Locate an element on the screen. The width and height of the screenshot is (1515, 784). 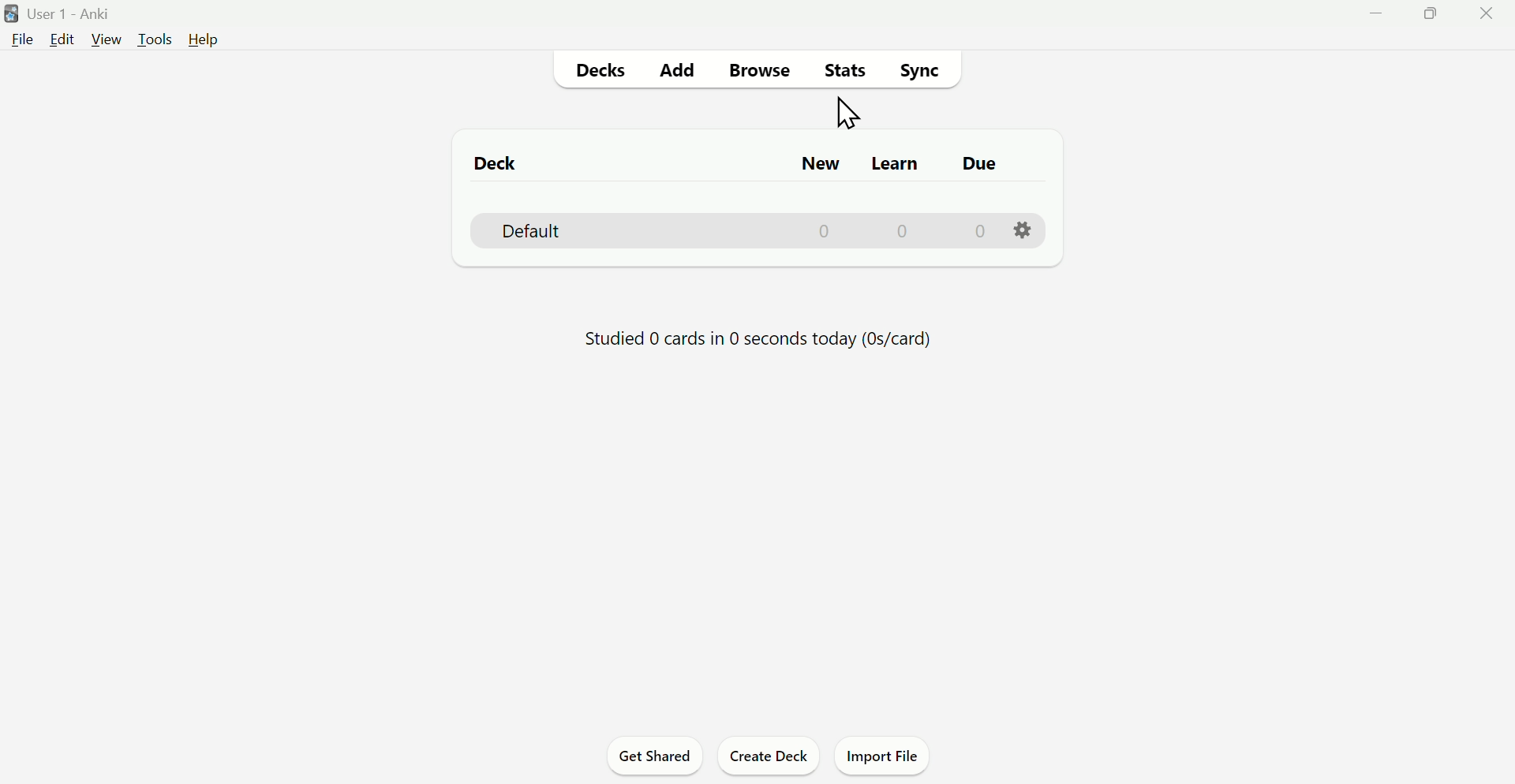
Minimize is located at coordinates (1382, 18).